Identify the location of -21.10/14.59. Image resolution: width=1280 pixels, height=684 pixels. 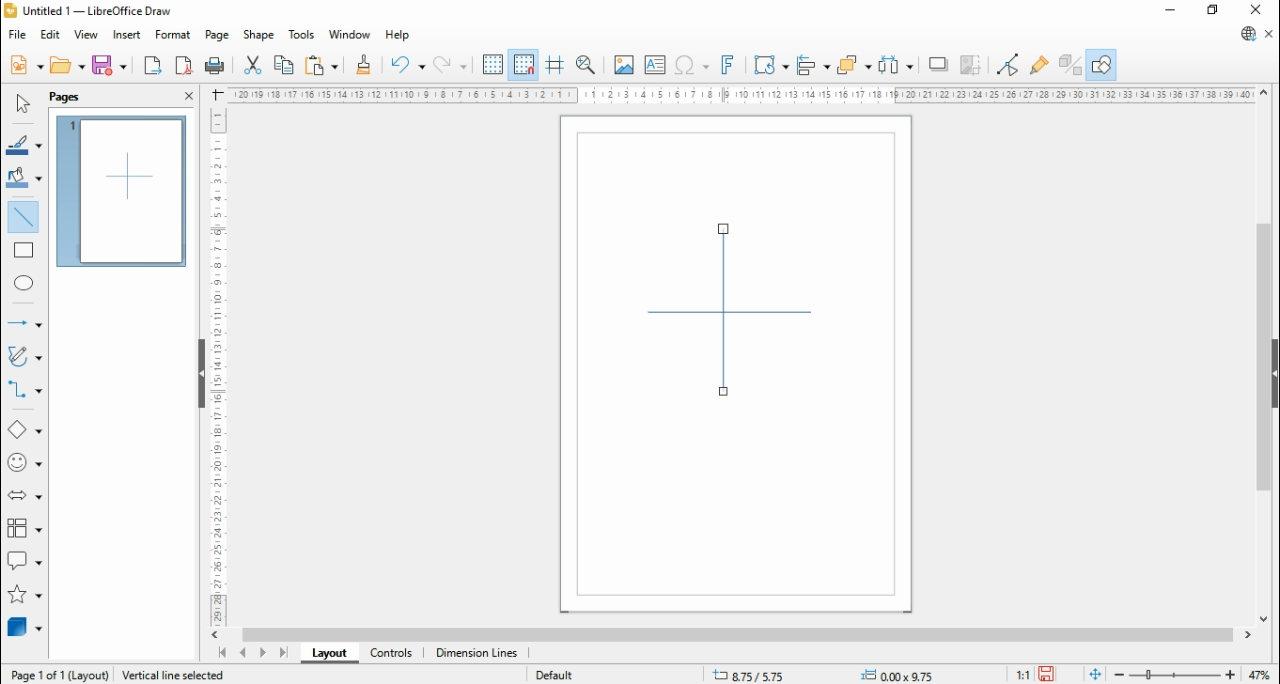
(763, 675).